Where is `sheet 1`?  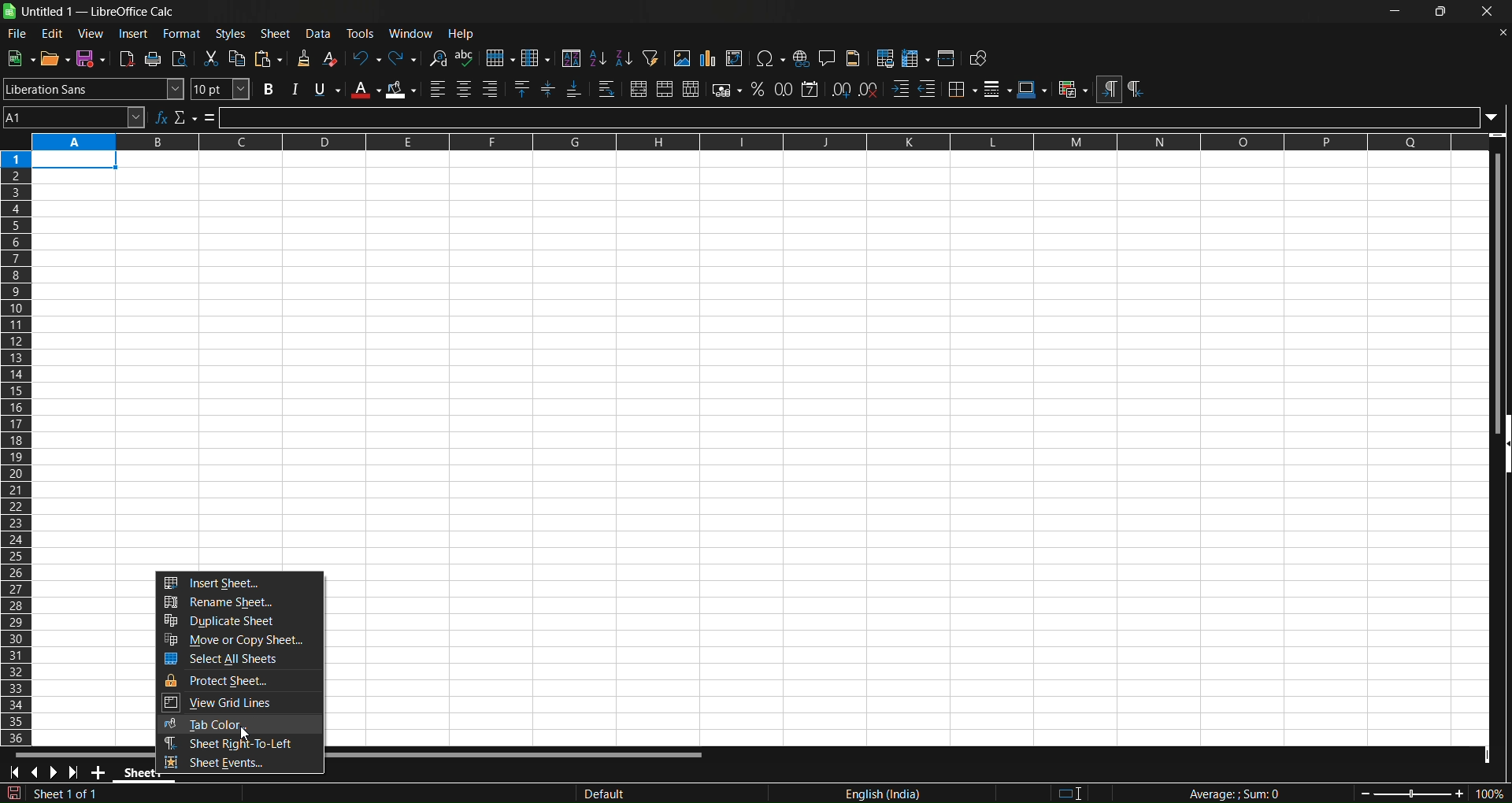
sheet 1 is located at coordinates (133, 774).